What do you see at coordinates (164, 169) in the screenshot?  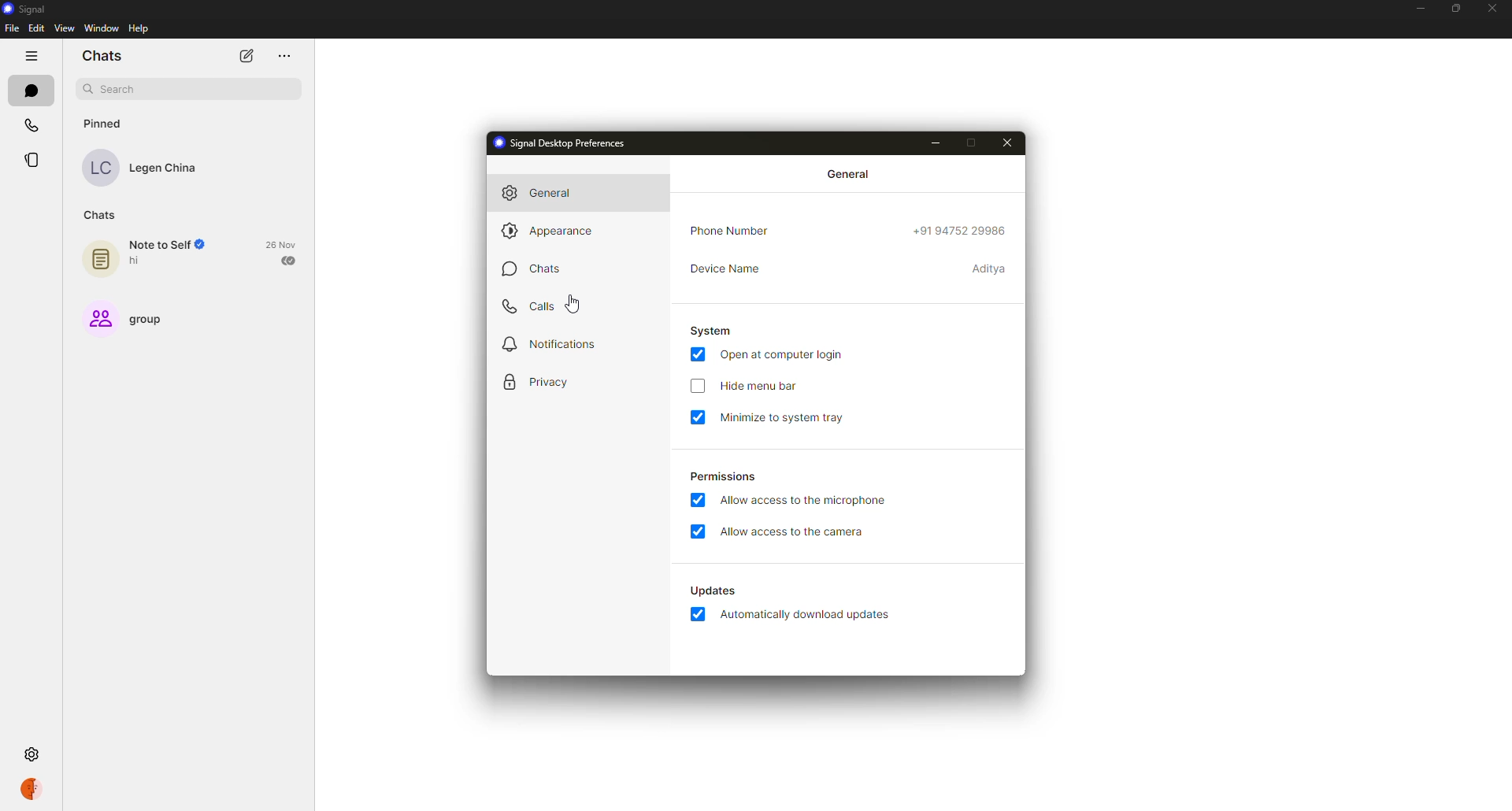 I see `Legen China` at bounding box center [164, 169].